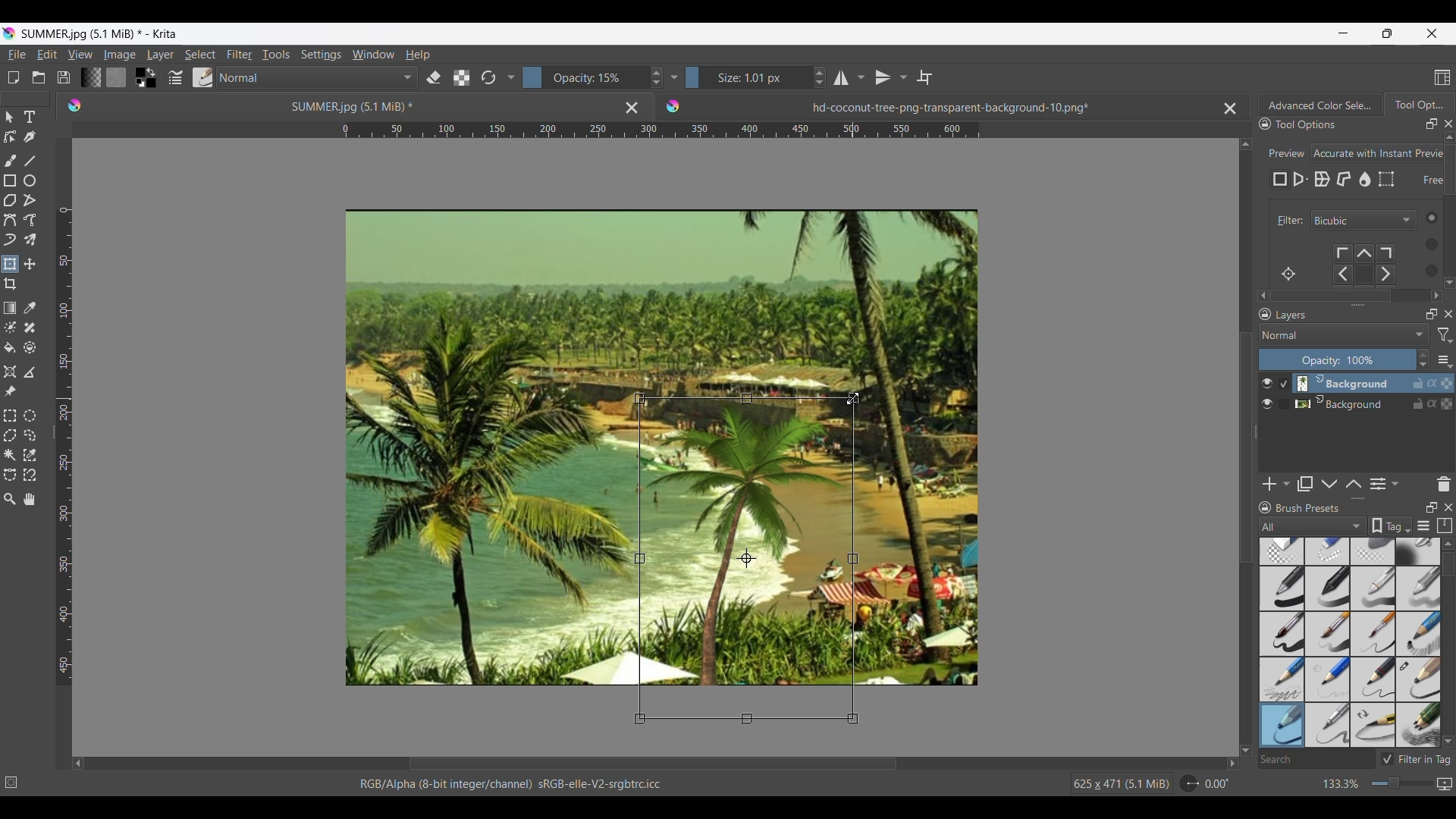 This screenshot has height=819, width=1456. Describe the element at coordinates (1378, 153) in the screenshot. I see `Preview options` at that location.